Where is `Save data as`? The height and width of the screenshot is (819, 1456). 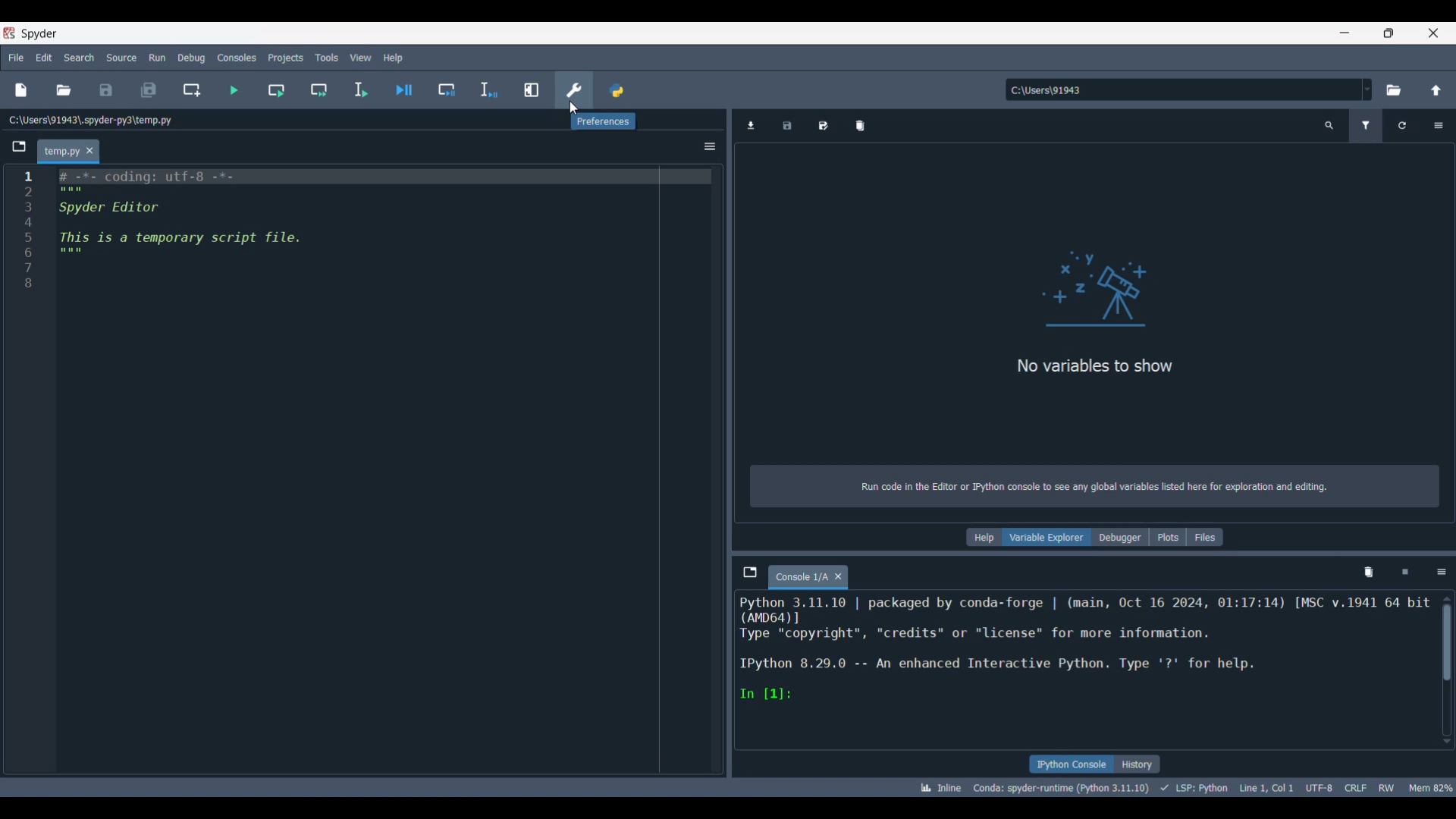 Save data as is located at coordinates (823, 126).